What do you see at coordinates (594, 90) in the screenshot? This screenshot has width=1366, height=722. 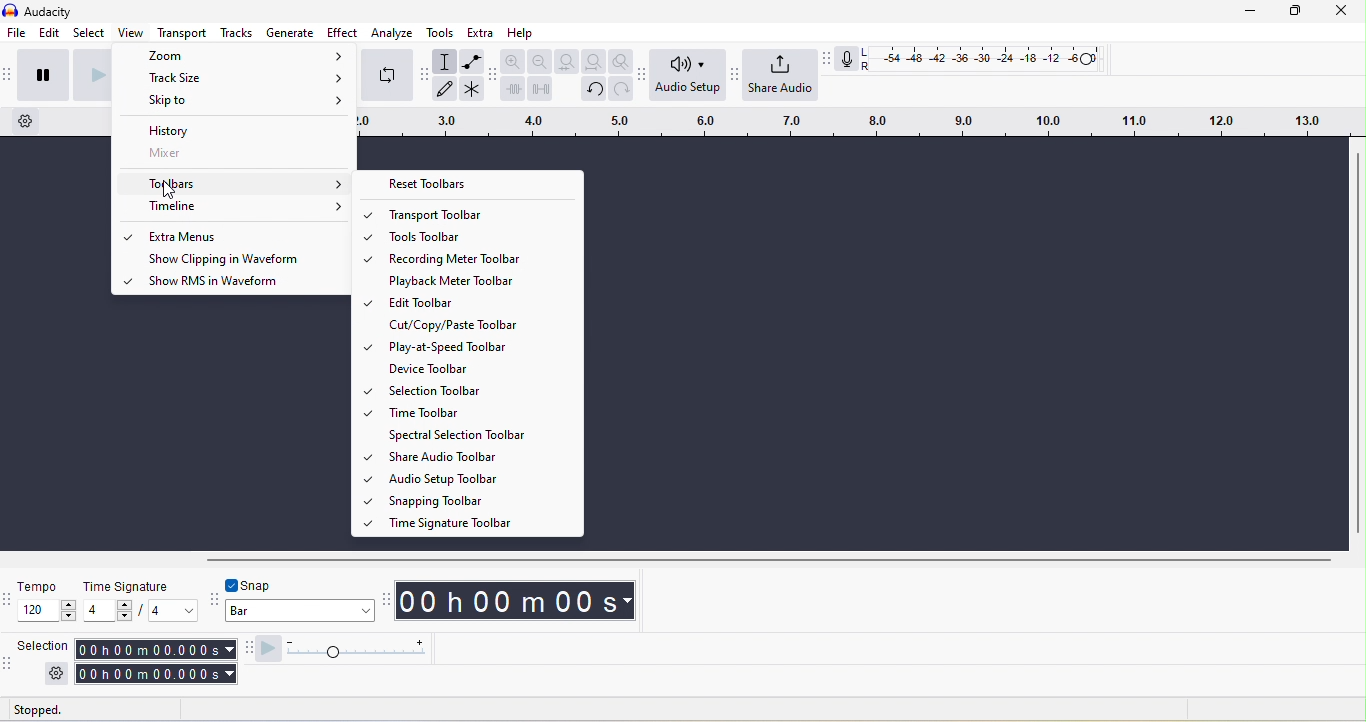 I see `undo` at bounding box center [594, 90].